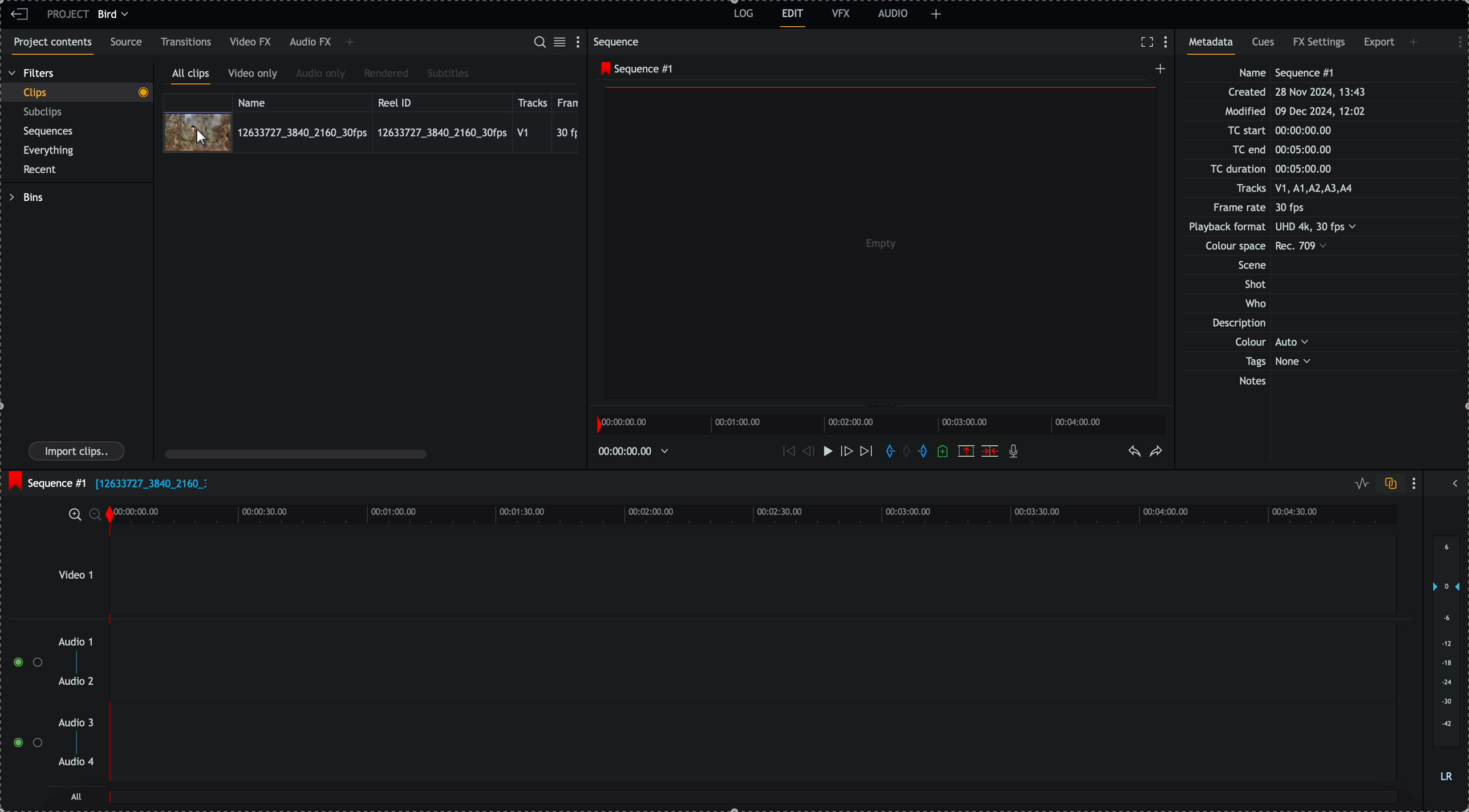 This screenshot has width=1469, height=812. I want to click on edit, so click(793, 18).